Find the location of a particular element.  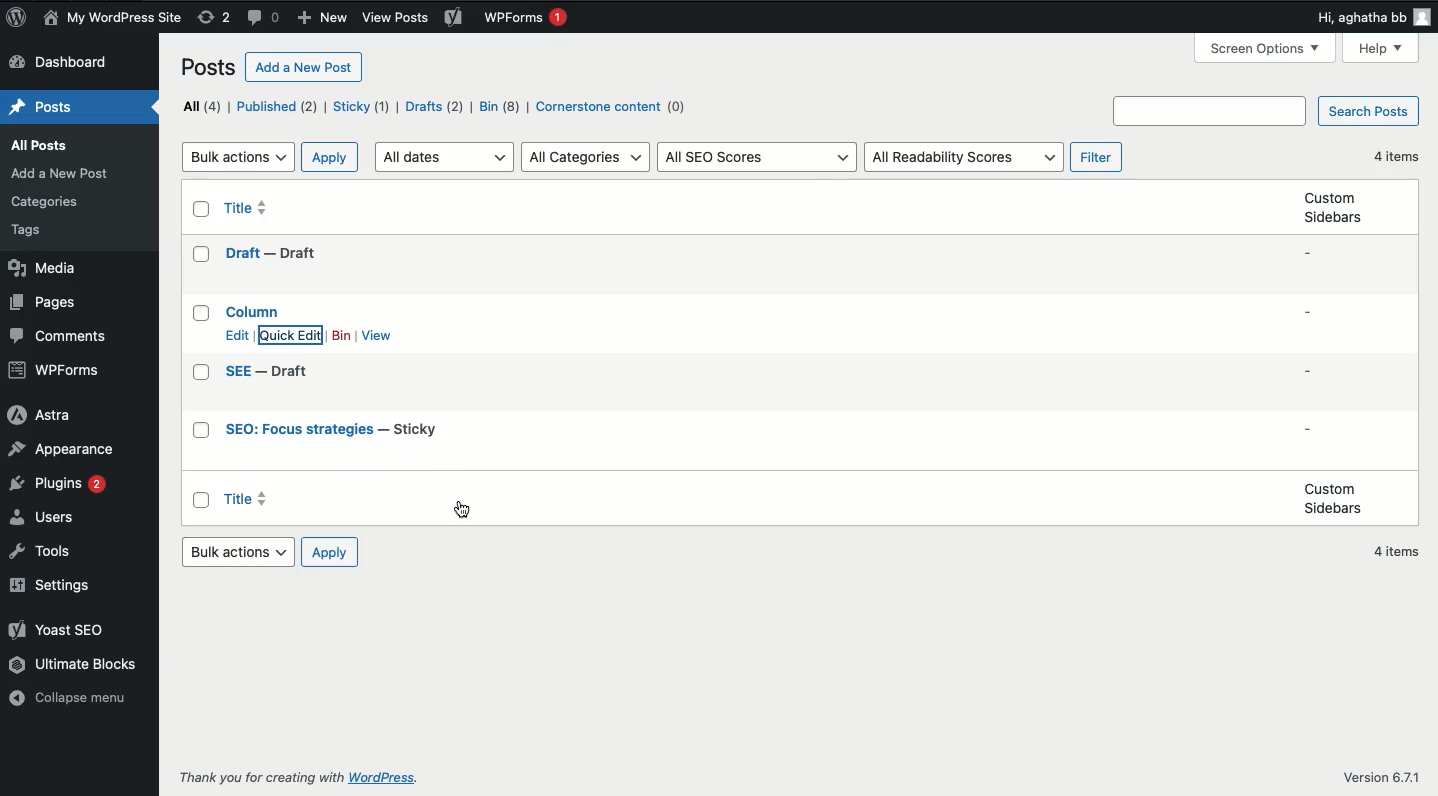

Revisions is located at coordinates (215, 18).